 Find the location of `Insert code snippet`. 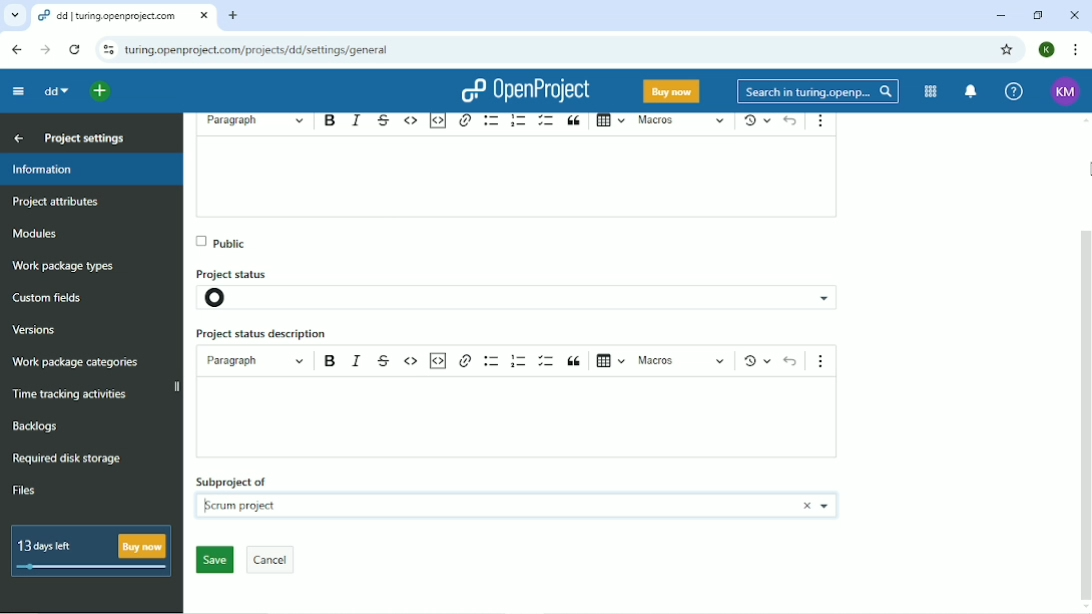

Insert code snippet is located at coordinates (439, 360).